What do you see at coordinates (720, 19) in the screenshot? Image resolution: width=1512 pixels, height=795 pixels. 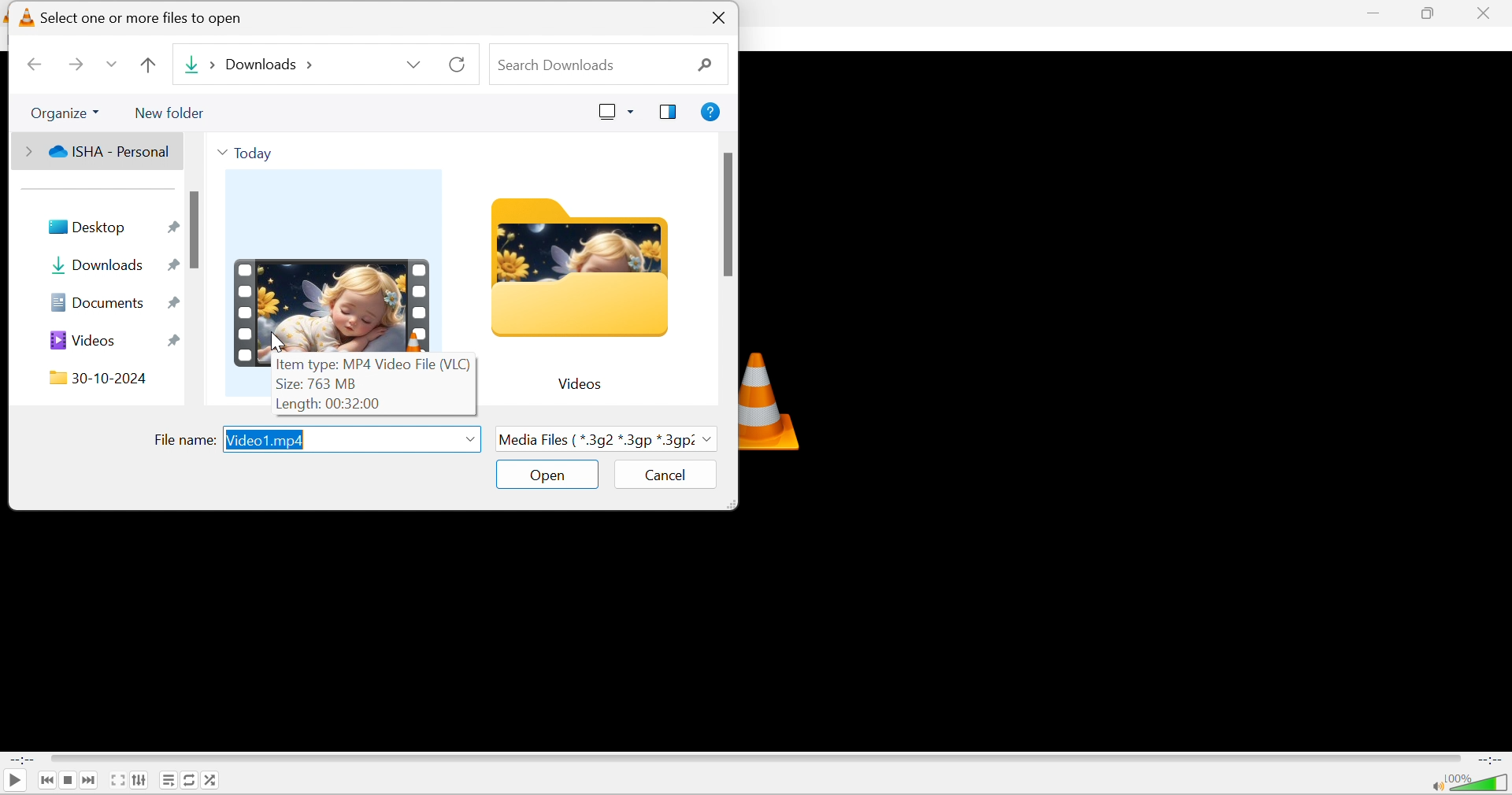 I see `Close` at bounding box center [720, 19].